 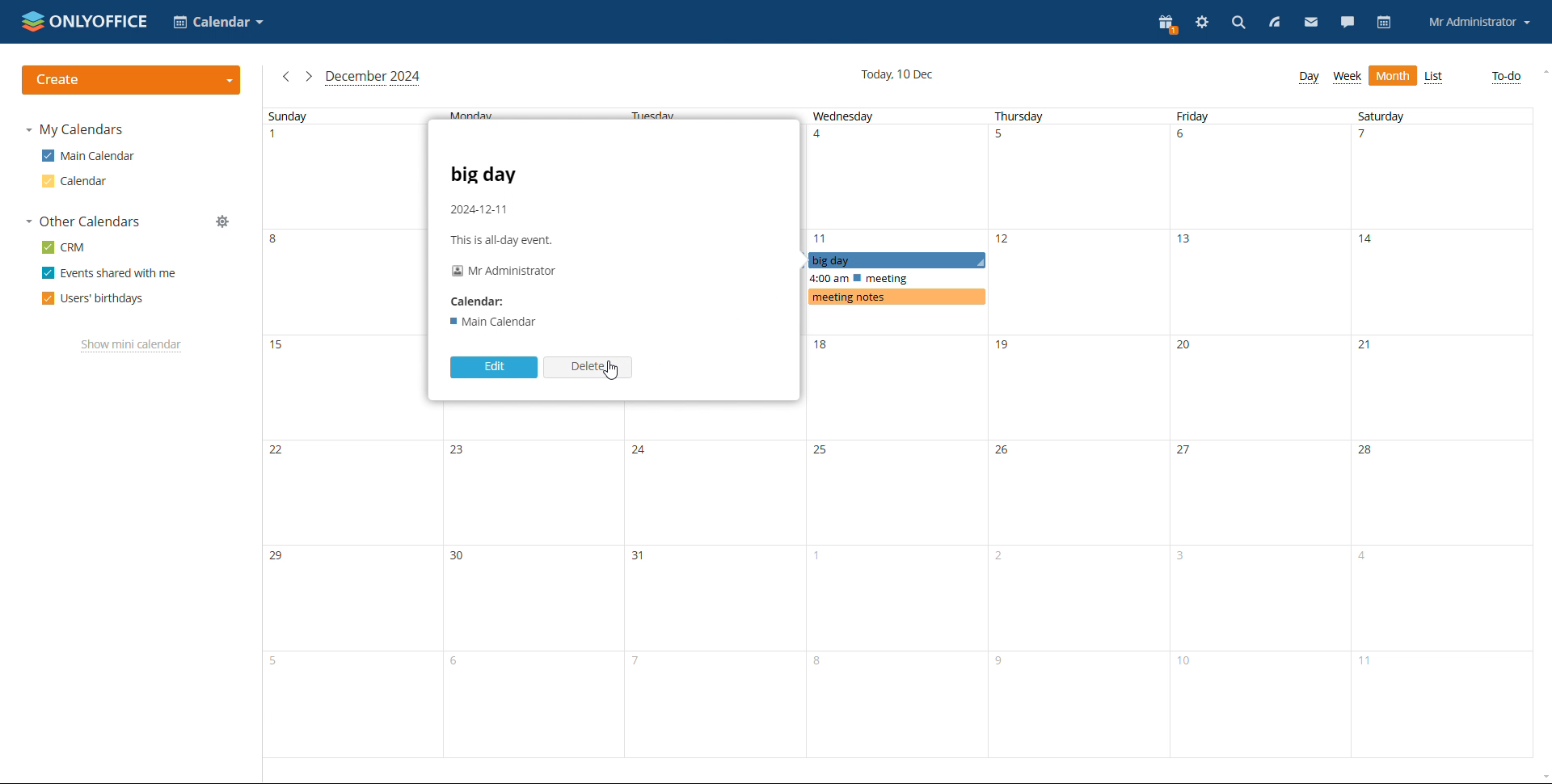 I want to click on this is all-day evet, so click(x=512, y=240).